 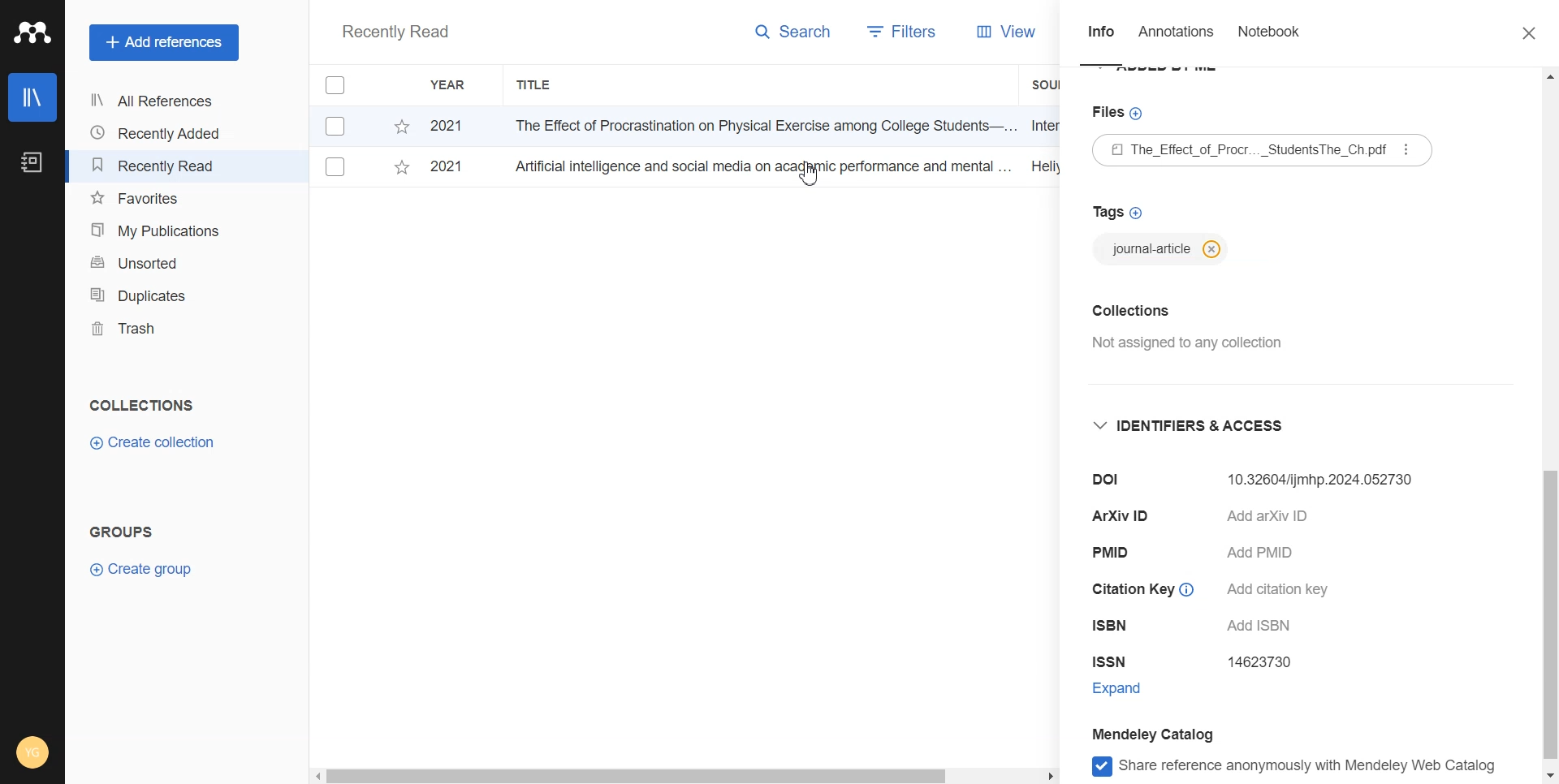 What do you see at coordinates (336, 167) in the screenshot?
I see `Checkbox` at bounding box center [336, 167].